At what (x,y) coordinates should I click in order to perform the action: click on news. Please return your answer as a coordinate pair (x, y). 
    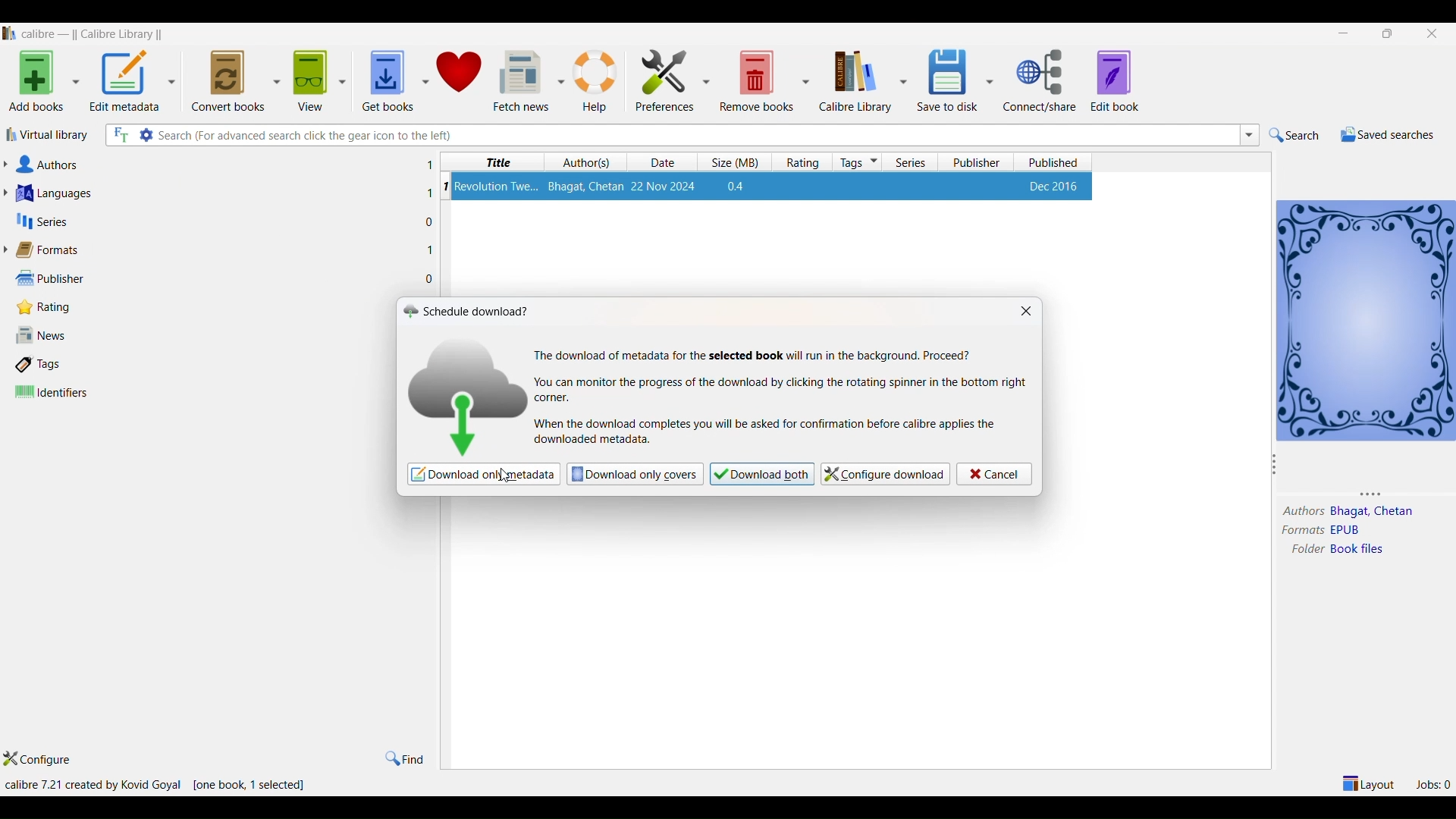
    Looking at the image, I should click on (43, 337).